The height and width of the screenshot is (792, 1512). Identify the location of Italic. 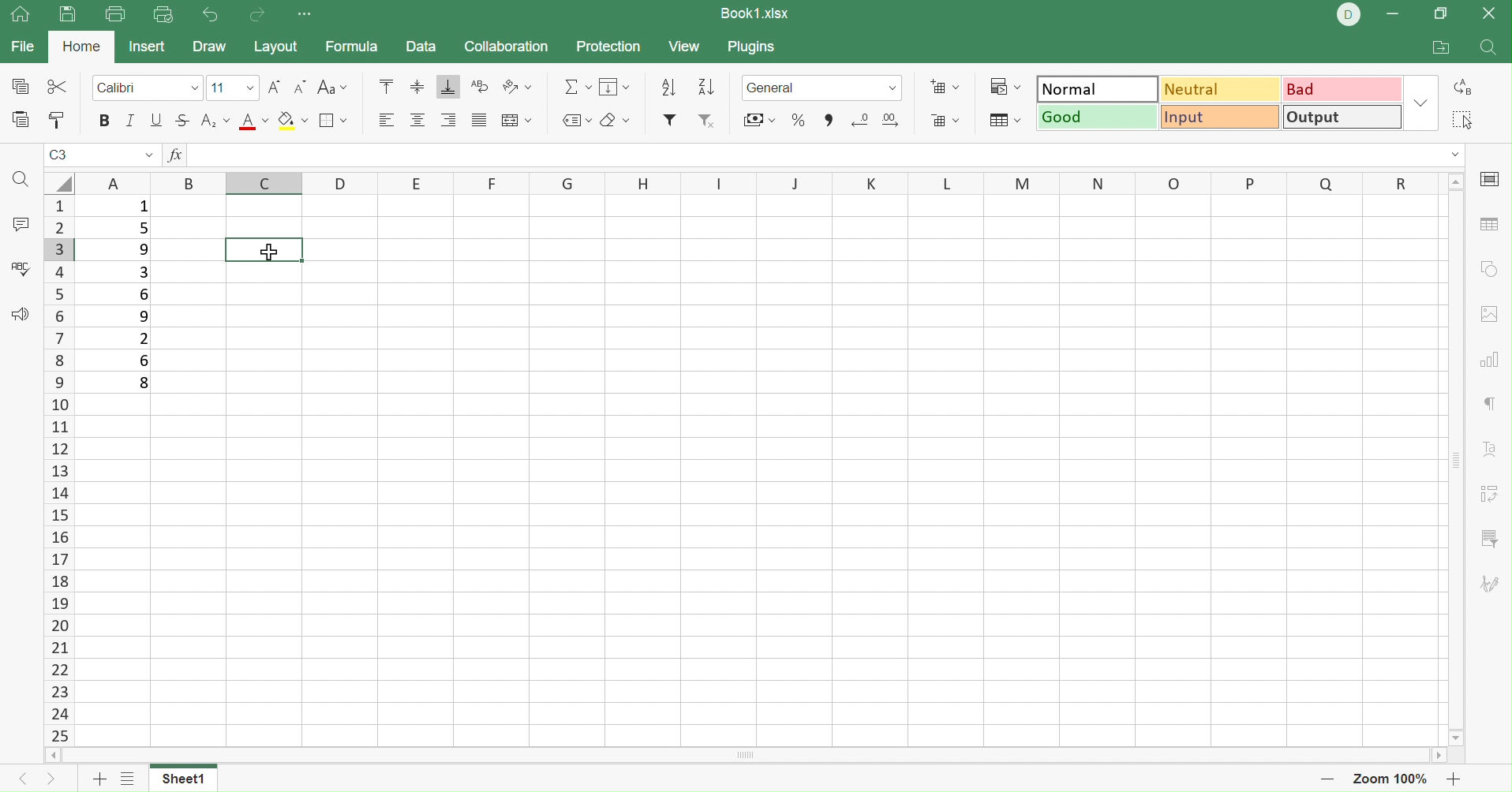
(130, 119).